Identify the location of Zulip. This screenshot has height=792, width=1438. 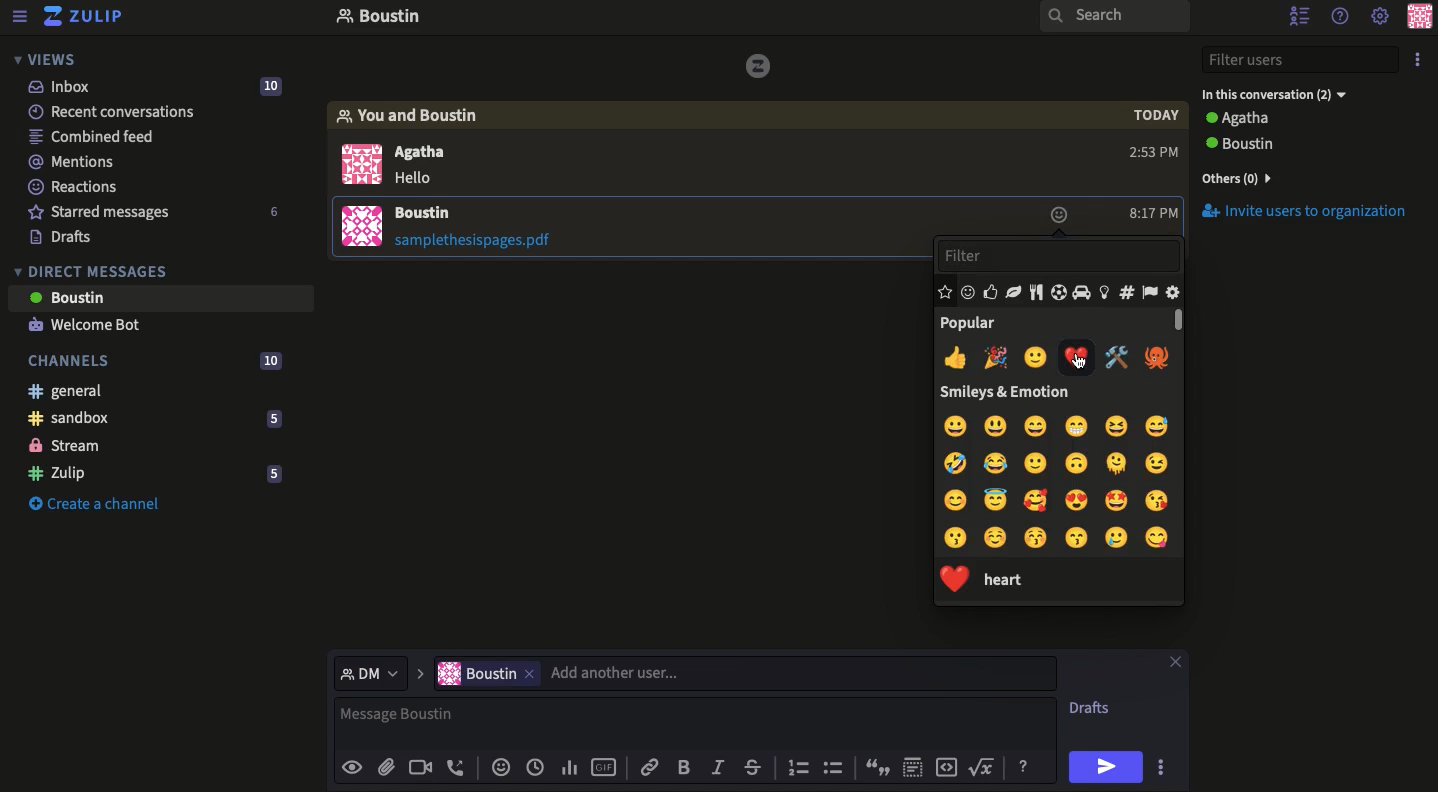
(158, 476).